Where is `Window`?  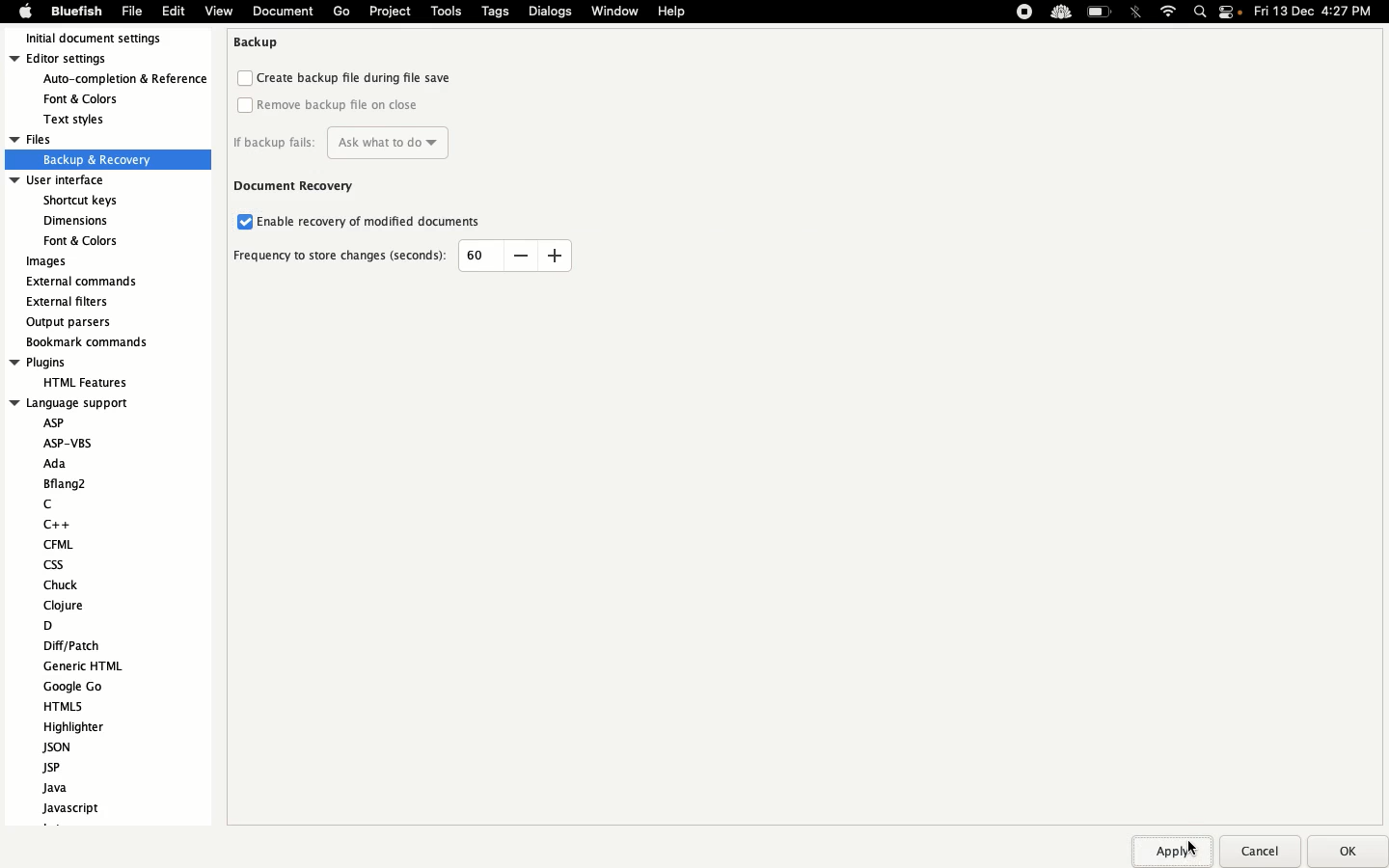
Window is located at coordinates (613, 11).